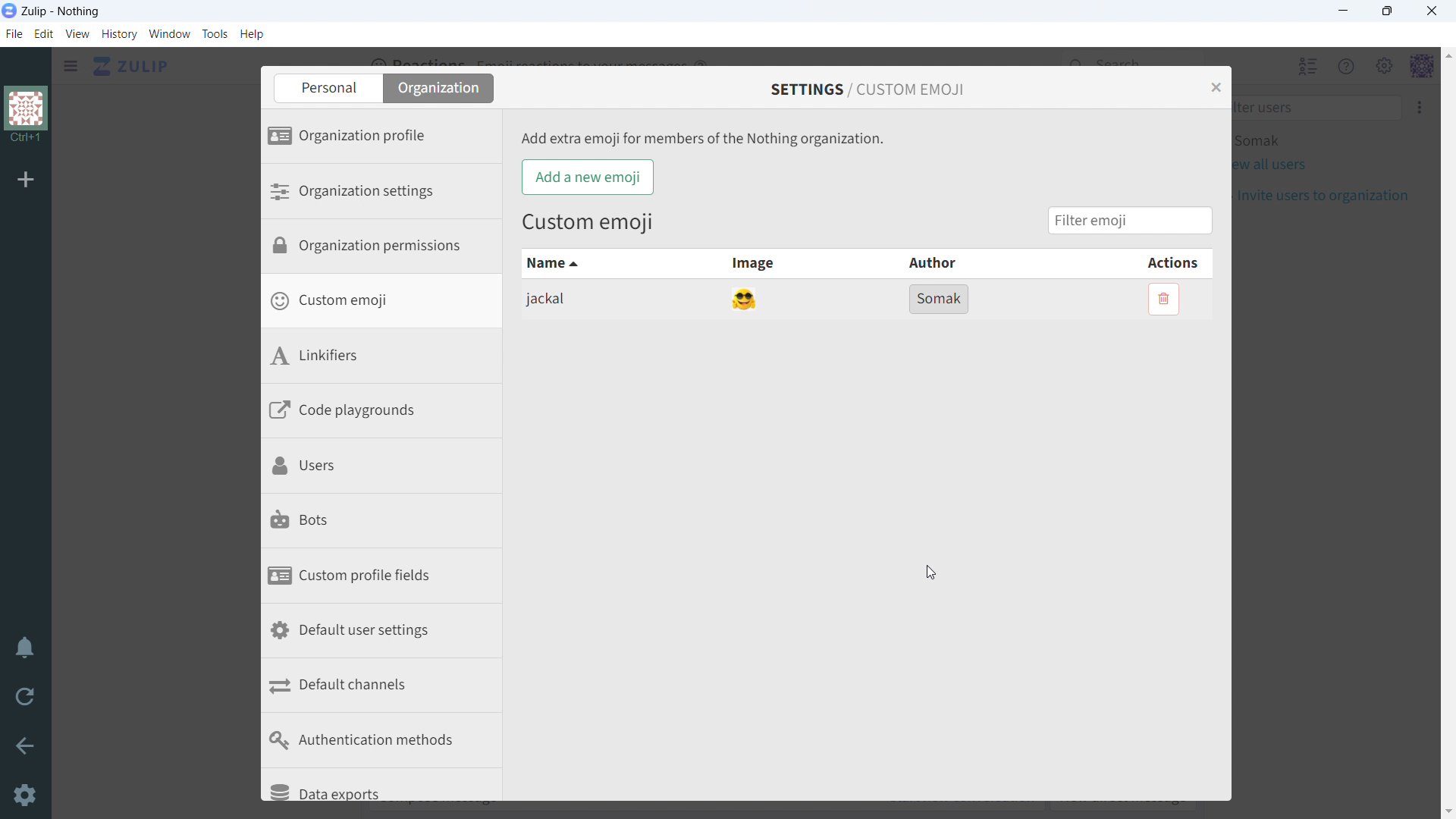 The width and height of the screenshot is (1456, 819). I want to click on organization, so click(448, 88).